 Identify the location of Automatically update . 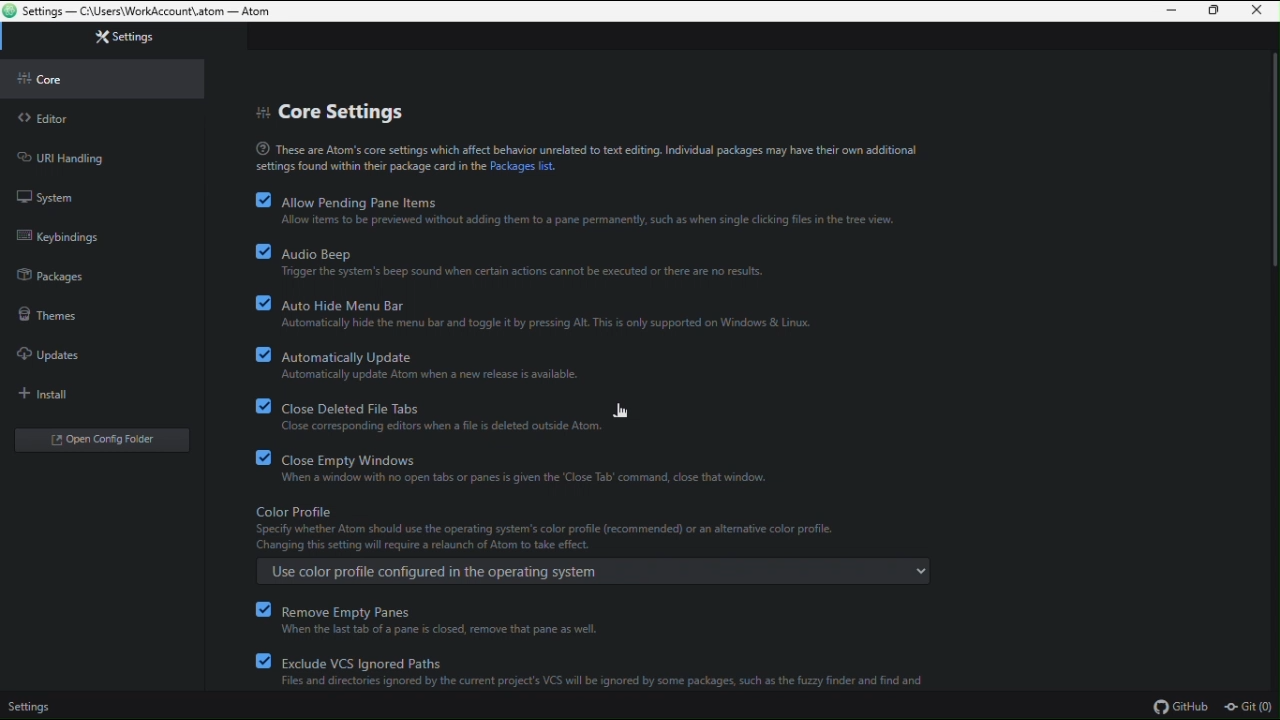
(450, 364).